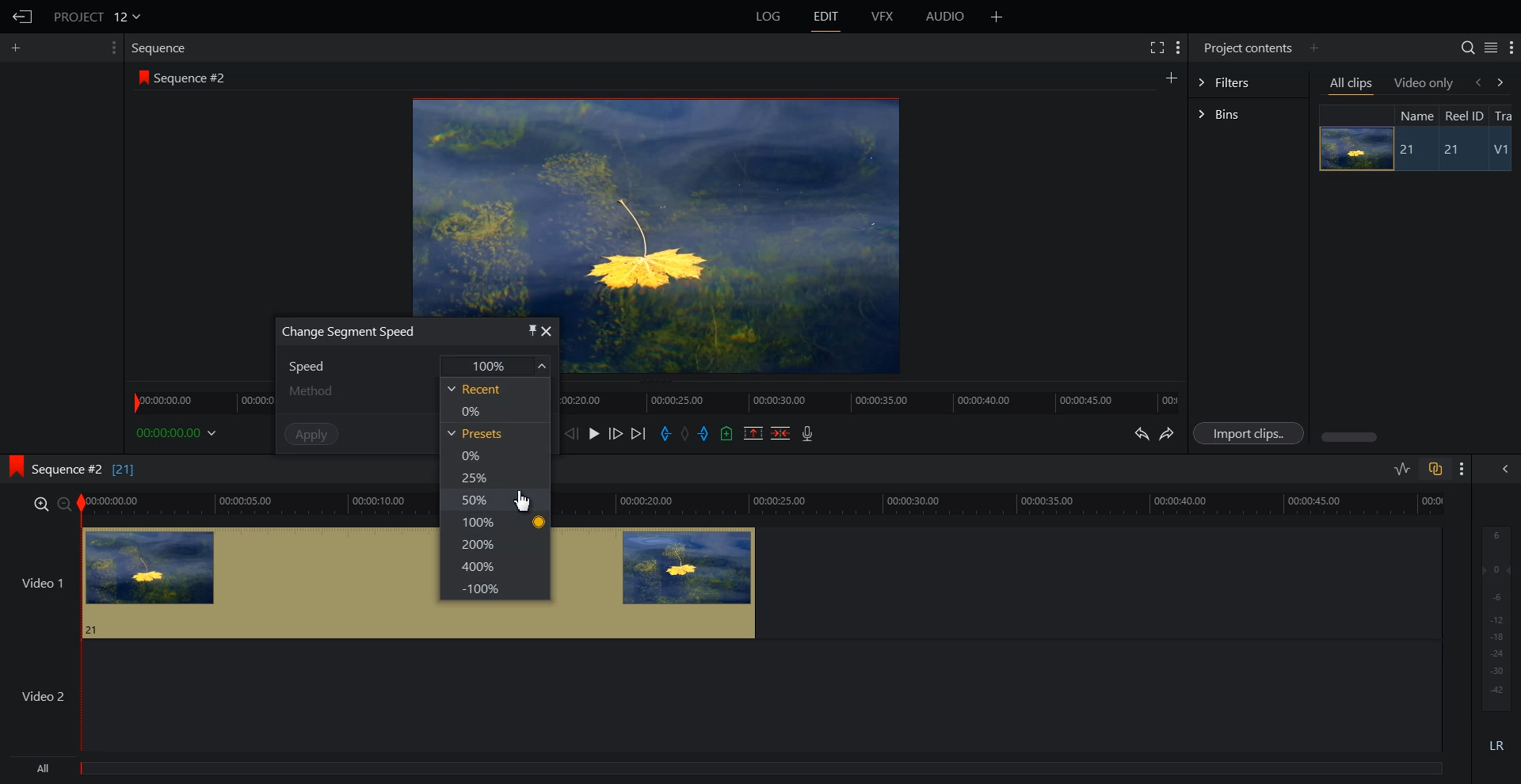  What do you see at coordinates (1501, 469) in the screenshot?
I see `Show the full audio mix` at bounding box center [1501, 469].